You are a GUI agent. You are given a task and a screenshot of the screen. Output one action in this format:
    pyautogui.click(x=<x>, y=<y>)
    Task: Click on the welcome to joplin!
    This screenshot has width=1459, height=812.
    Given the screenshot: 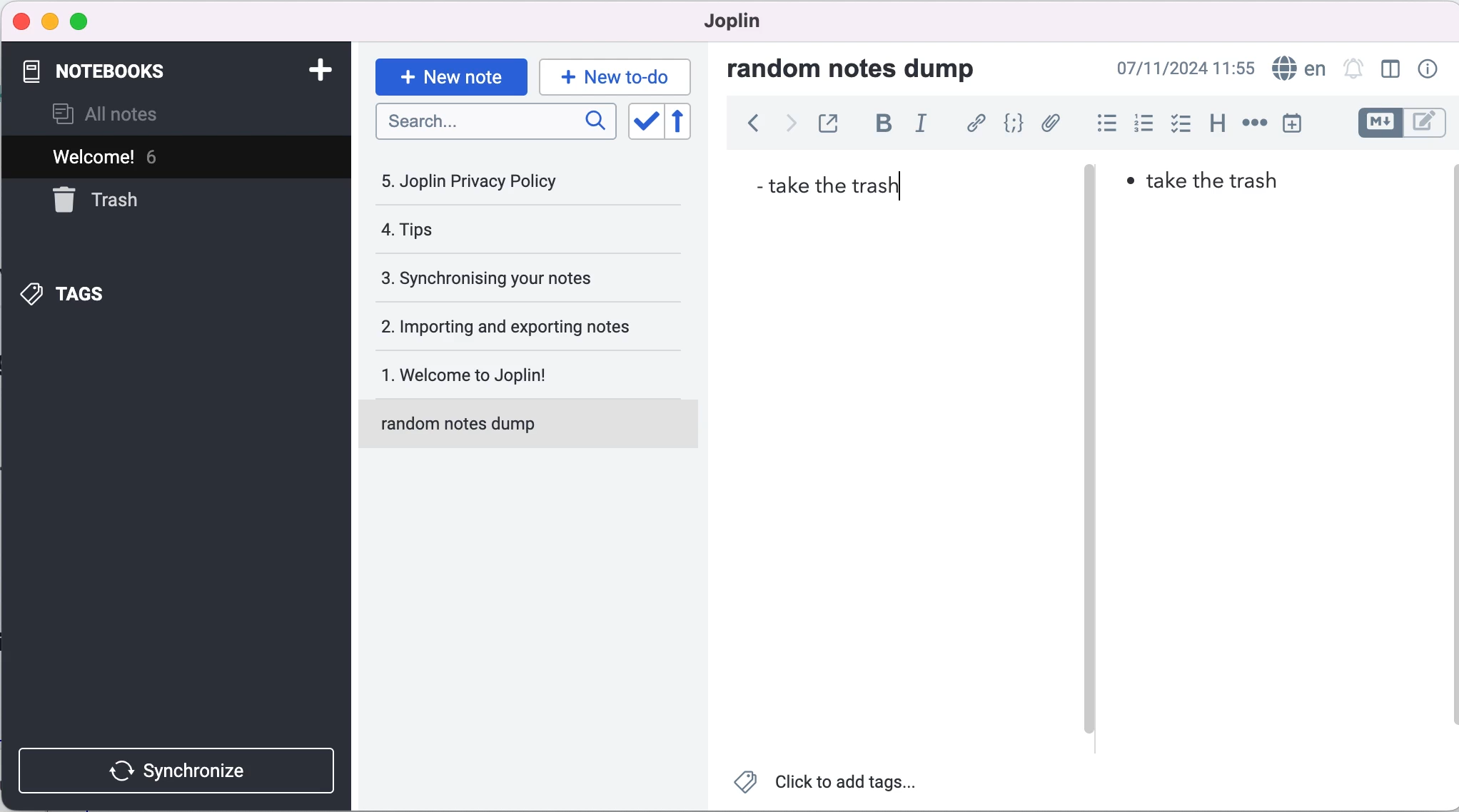 What is the action you would take?
    pyautogui.click(x=515, y=377)
    